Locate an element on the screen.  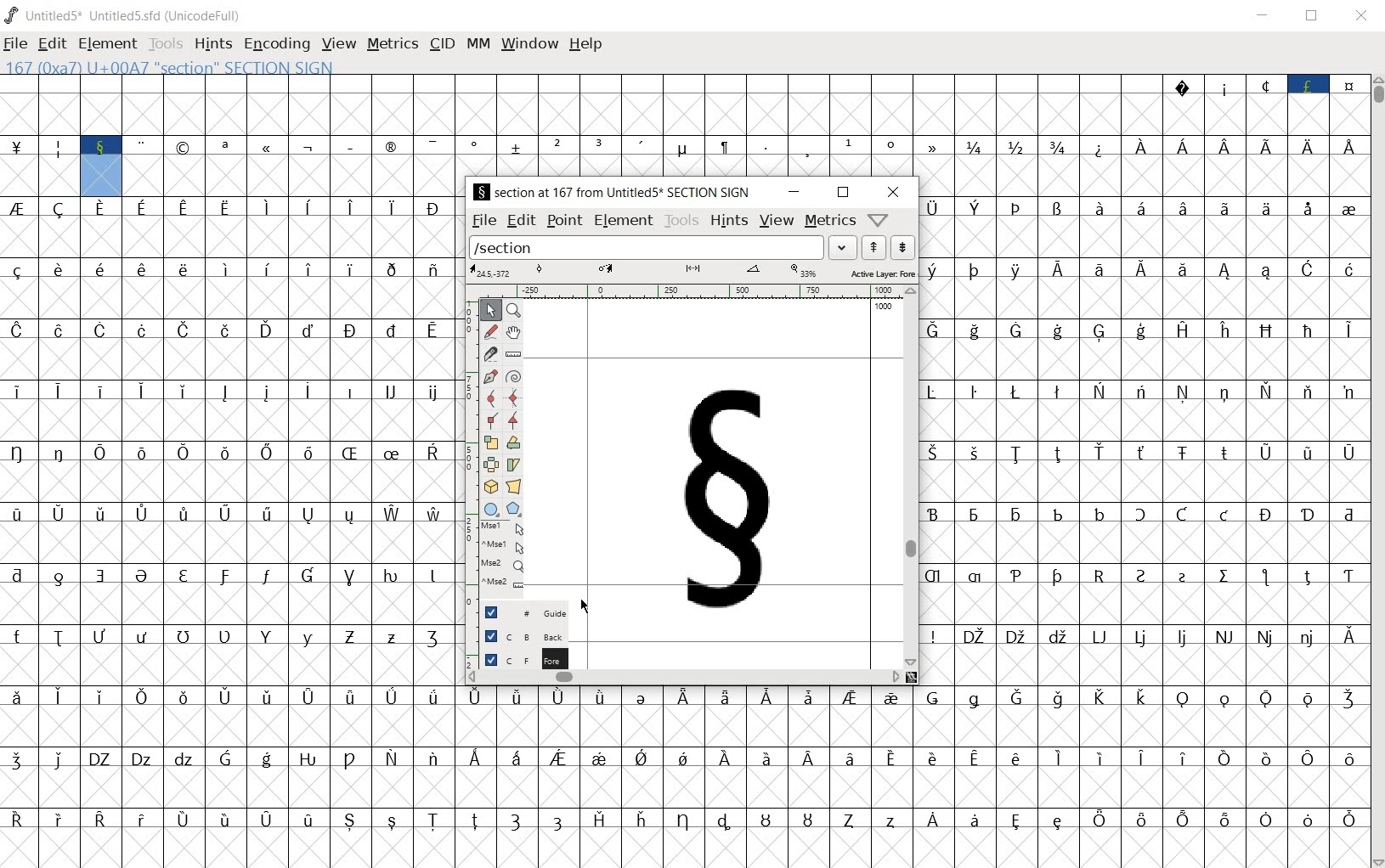
change whether spiro is active or not is located at coordinates (515, 376).